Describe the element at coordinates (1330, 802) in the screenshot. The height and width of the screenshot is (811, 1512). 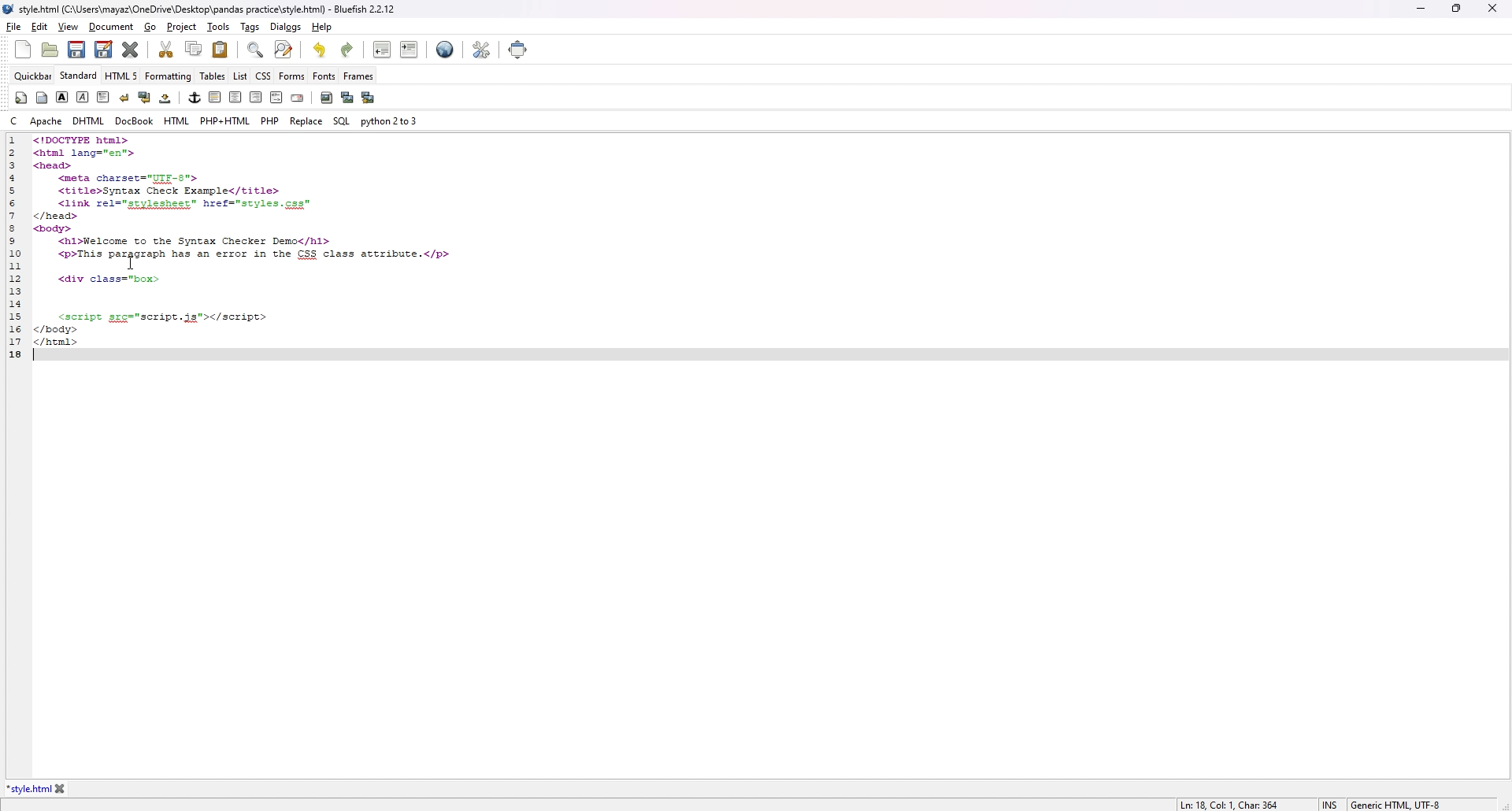
I see `cursor type` at that location.